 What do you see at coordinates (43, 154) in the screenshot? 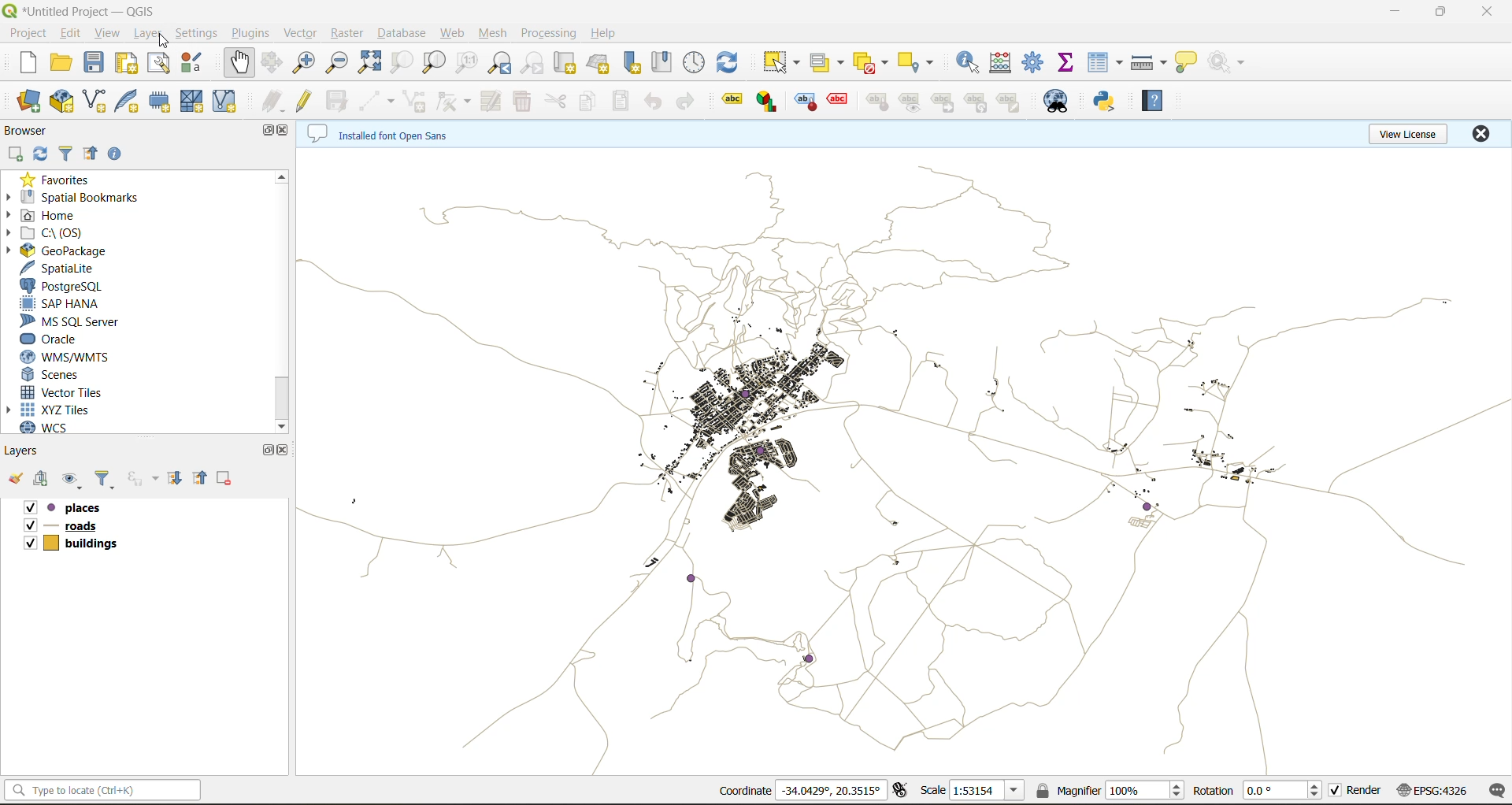
I see `refresh` at bounding box center [43, 154].